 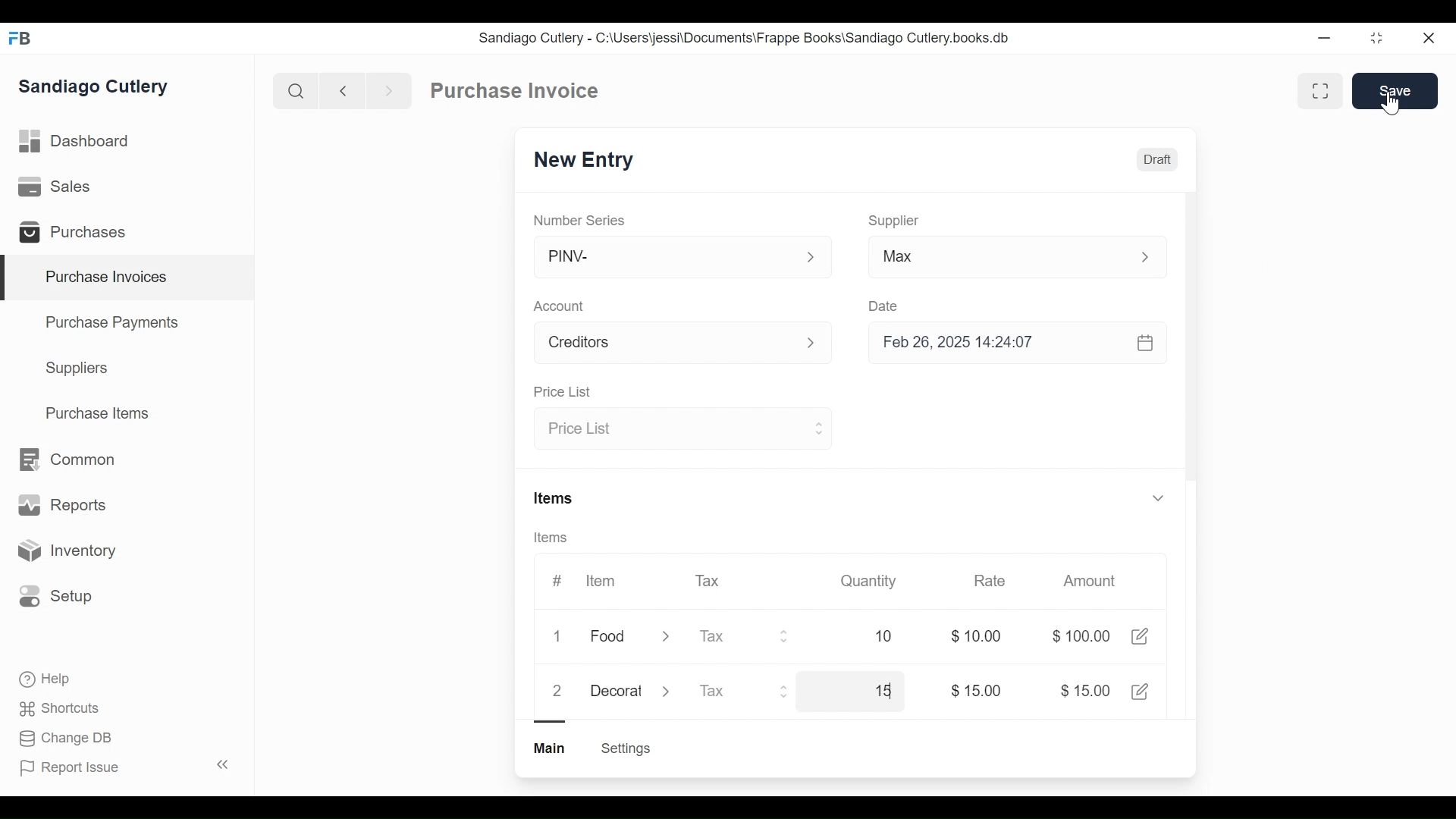 What do you see at coordinates (976, 691) in the screenshot?
I see `$15.00` at bounding box center [976, 691].